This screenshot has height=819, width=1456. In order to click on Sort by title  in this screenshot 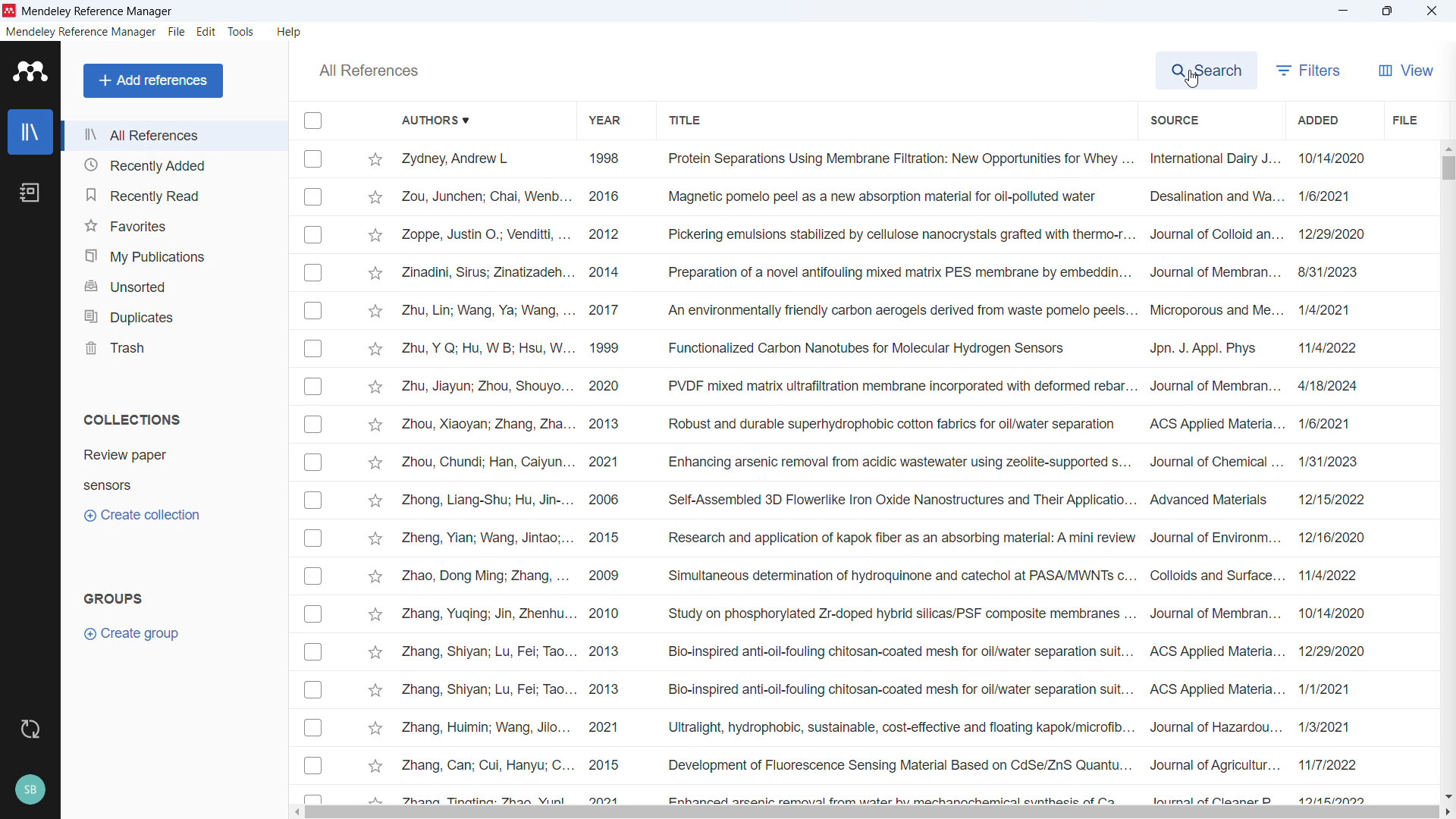, I will do `click(689, 121)`.